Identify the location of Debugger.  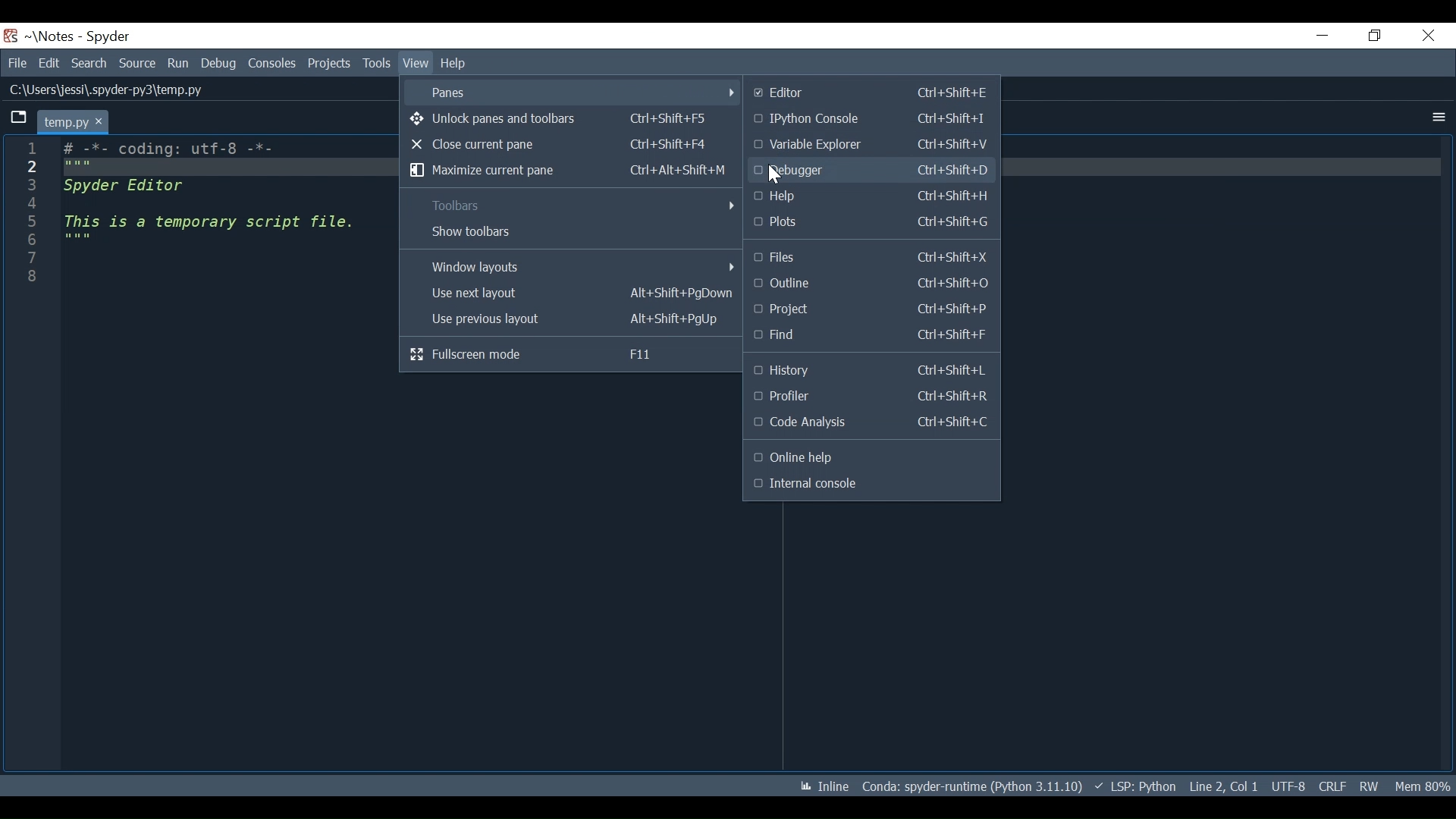
(873, 171).